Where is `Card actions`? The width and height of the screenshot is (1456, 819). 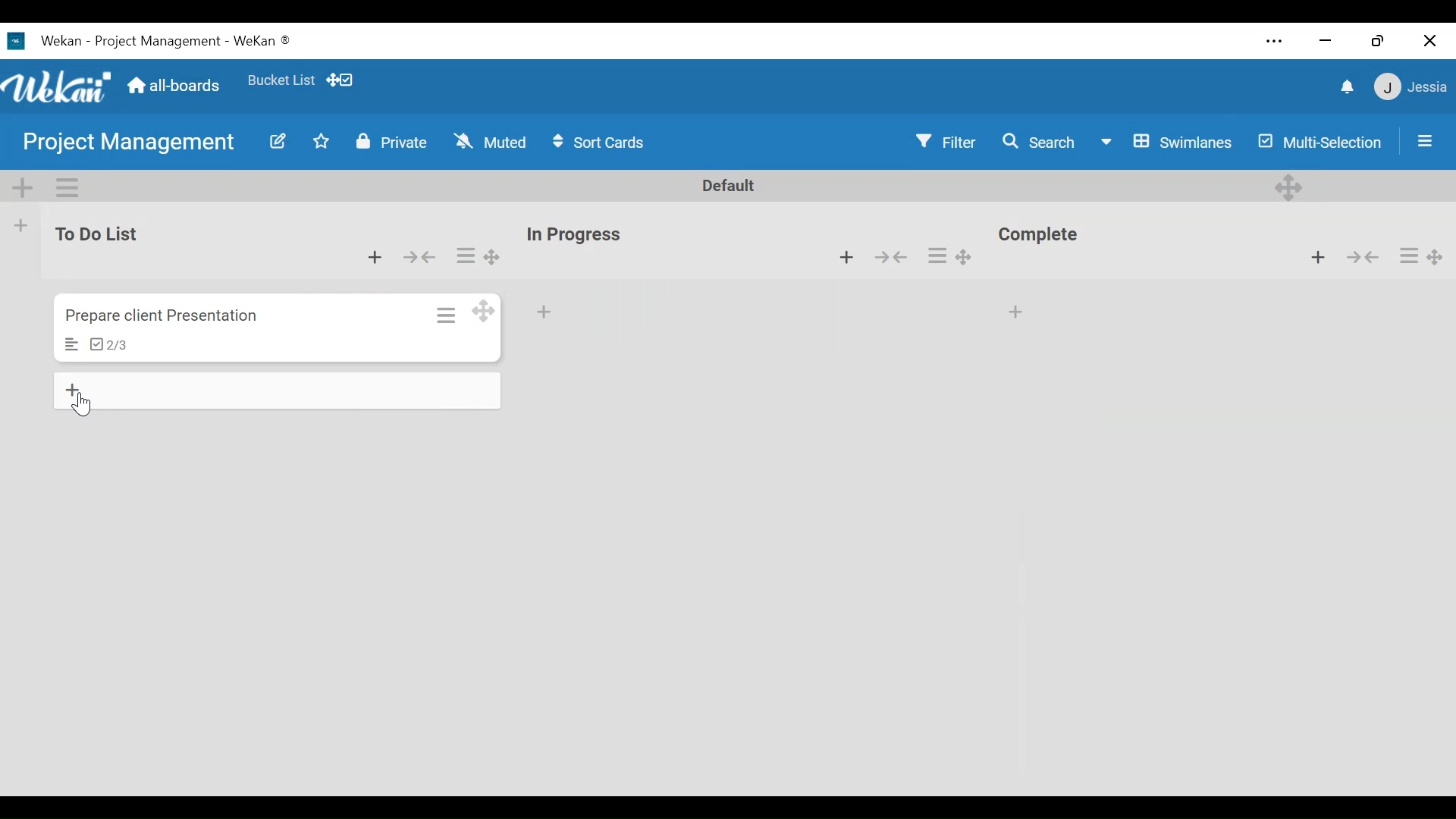 Card actions is located at coordinates (466, 255).